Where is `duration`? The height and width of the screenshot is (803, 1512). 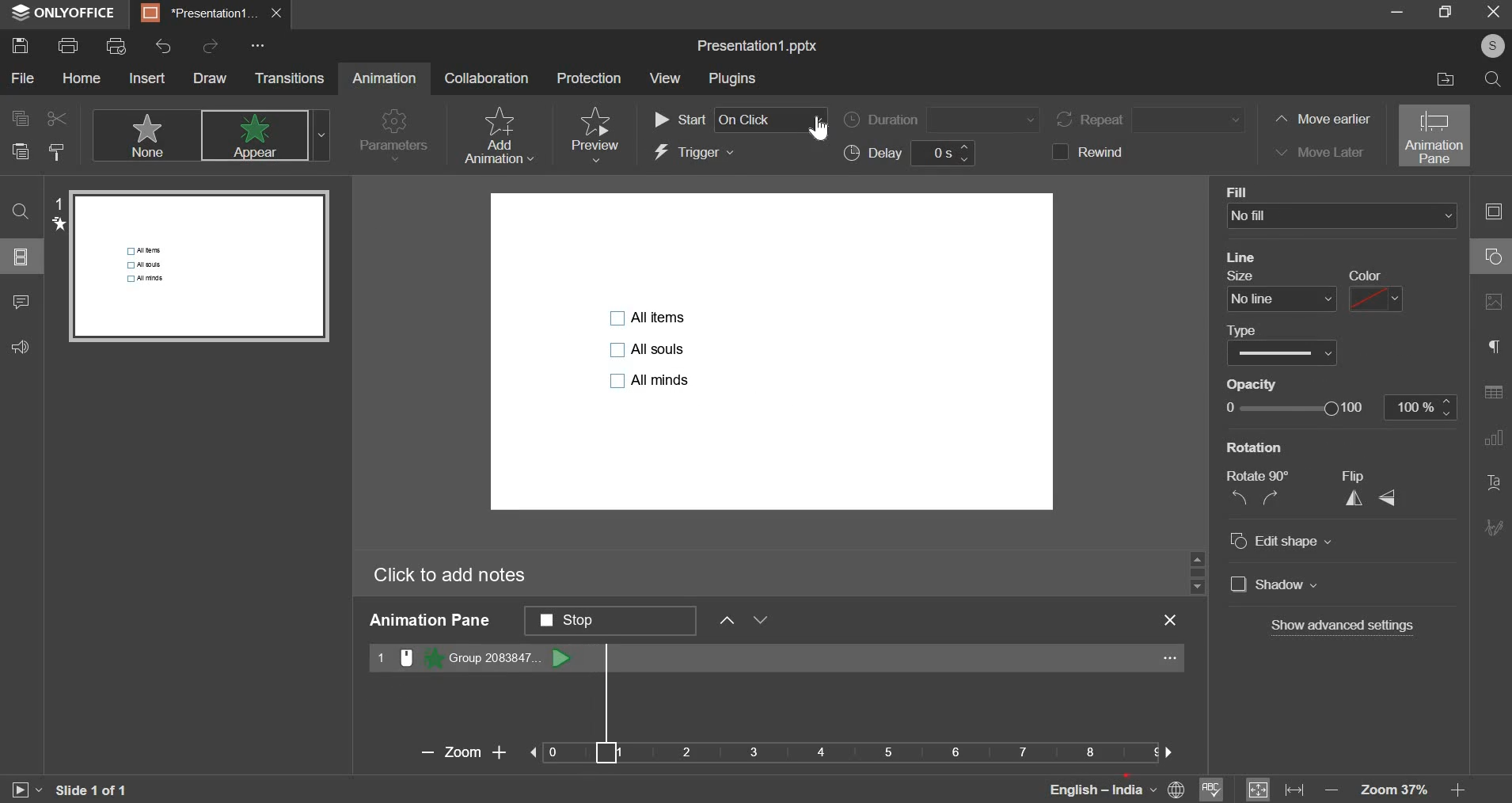 duration is located at coordinates (940, 120).